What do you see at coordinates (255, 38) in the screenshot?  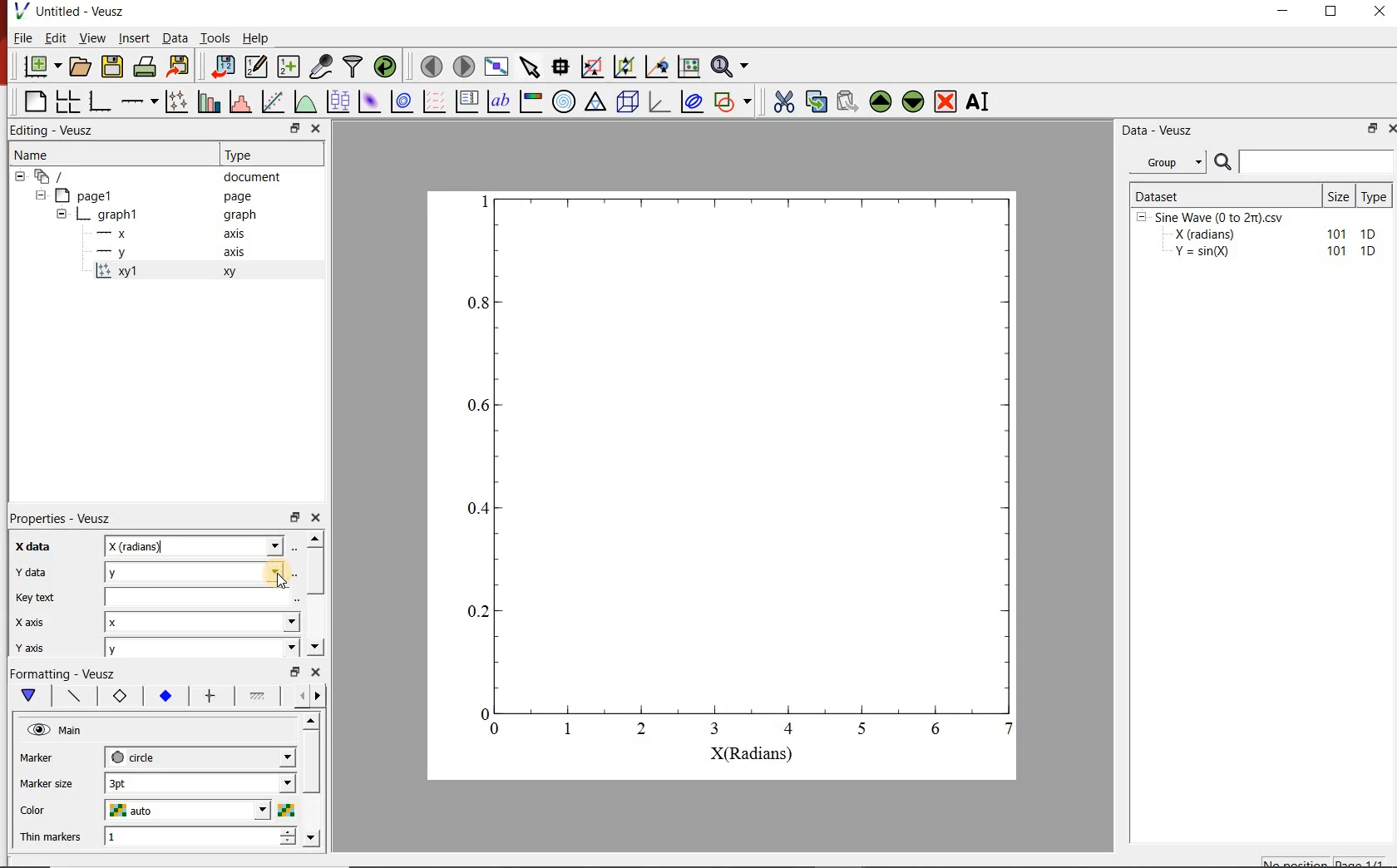 I see `Help` at bounding box center [255, 38].